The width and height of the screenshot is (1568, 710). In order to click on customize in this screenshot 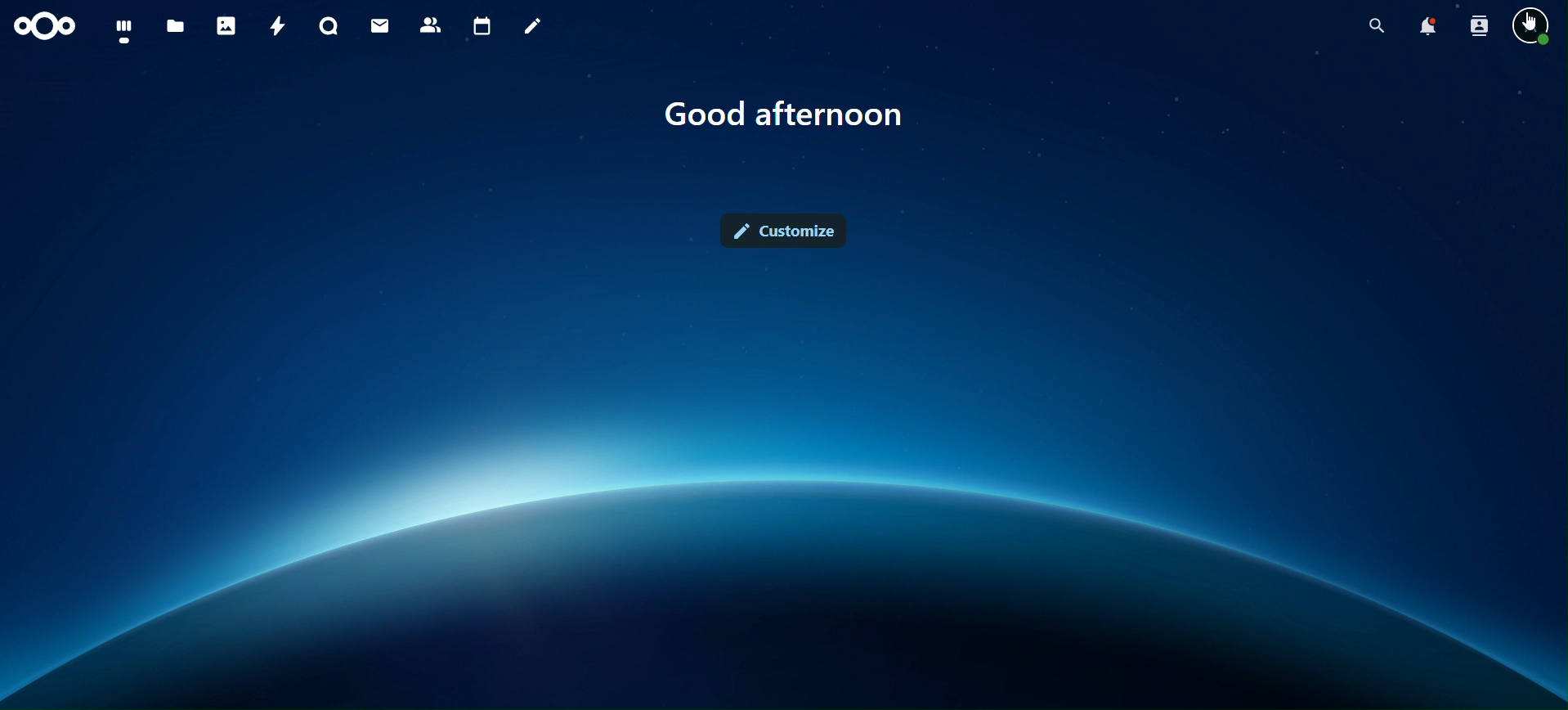, I will do `click(790, 231)`.